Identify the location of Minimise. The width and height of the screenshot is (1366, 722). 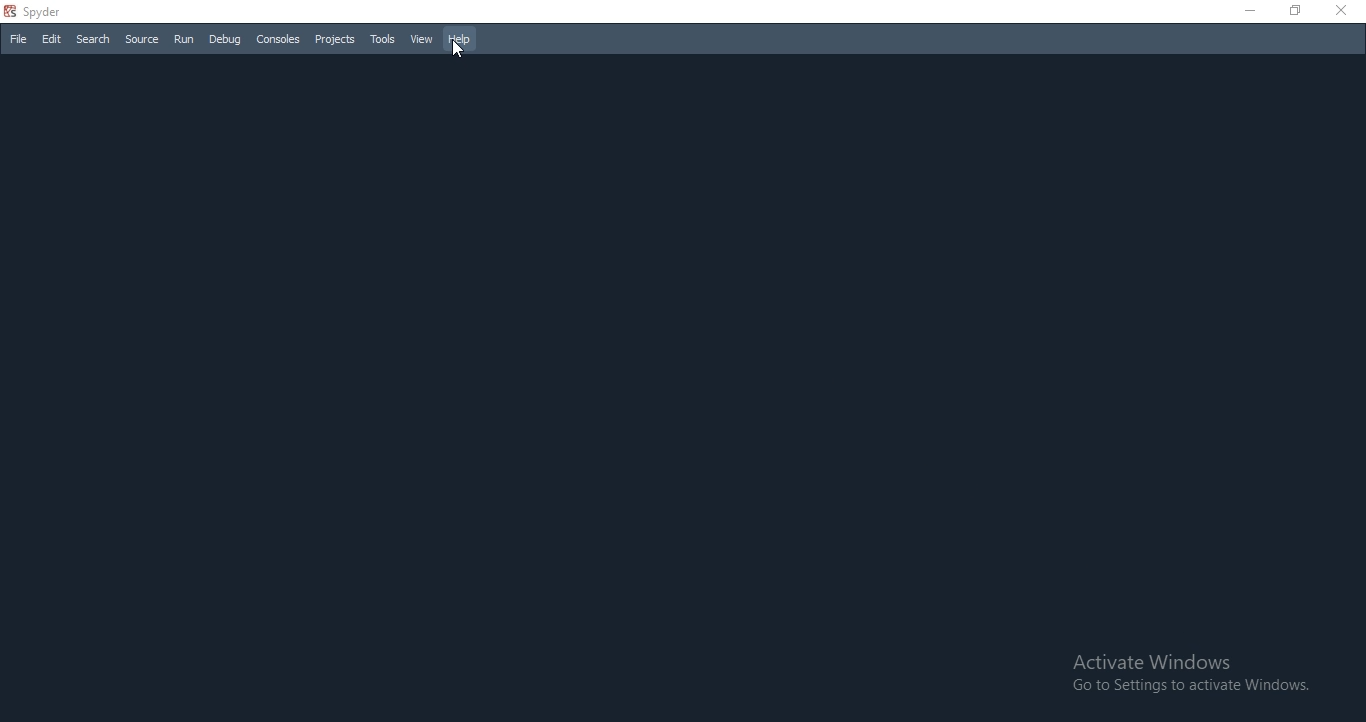
(1247, 13).